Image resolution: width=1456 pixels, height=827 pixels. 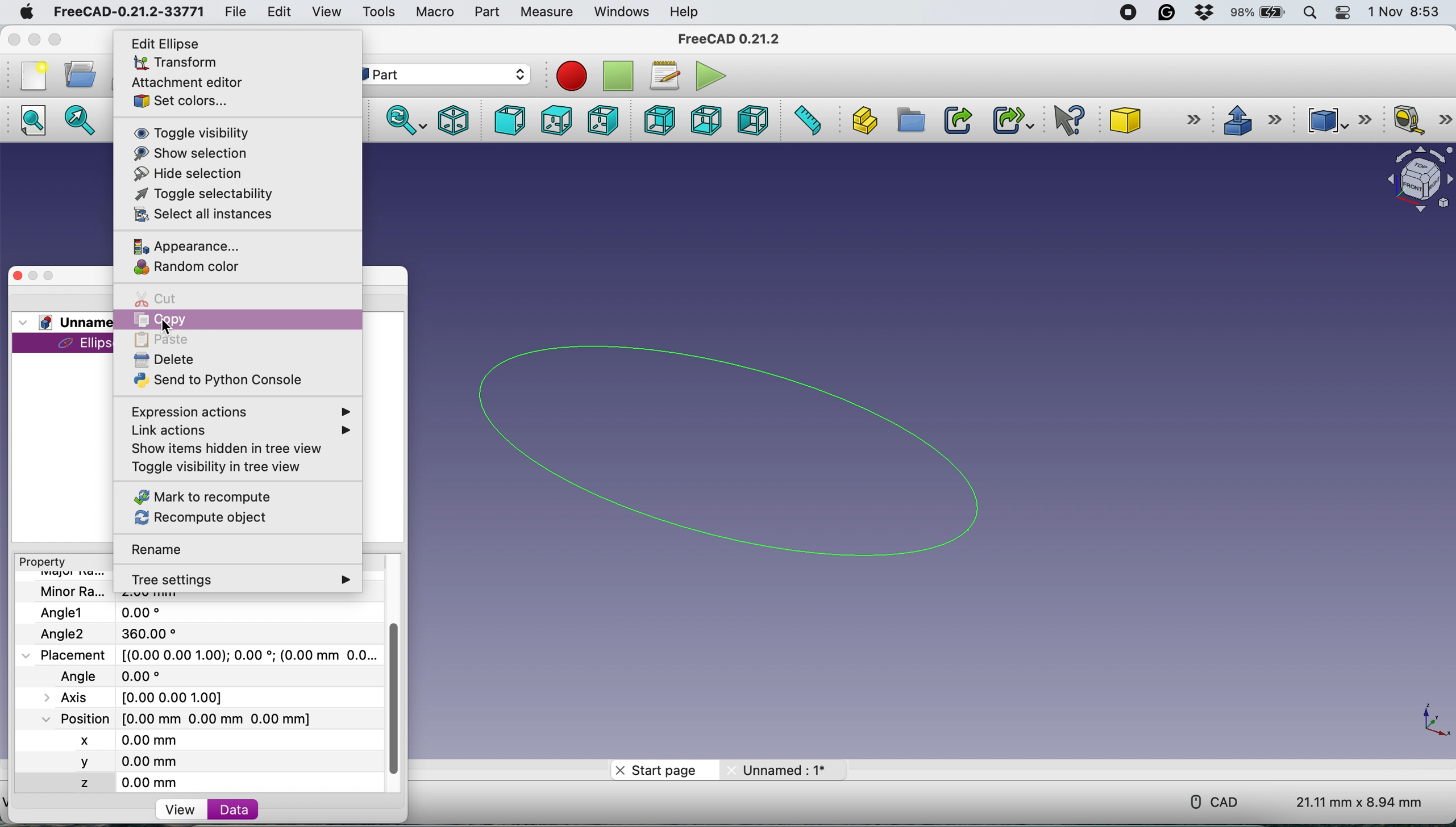 I want to click on Angle1, so click(x=103, y=612).